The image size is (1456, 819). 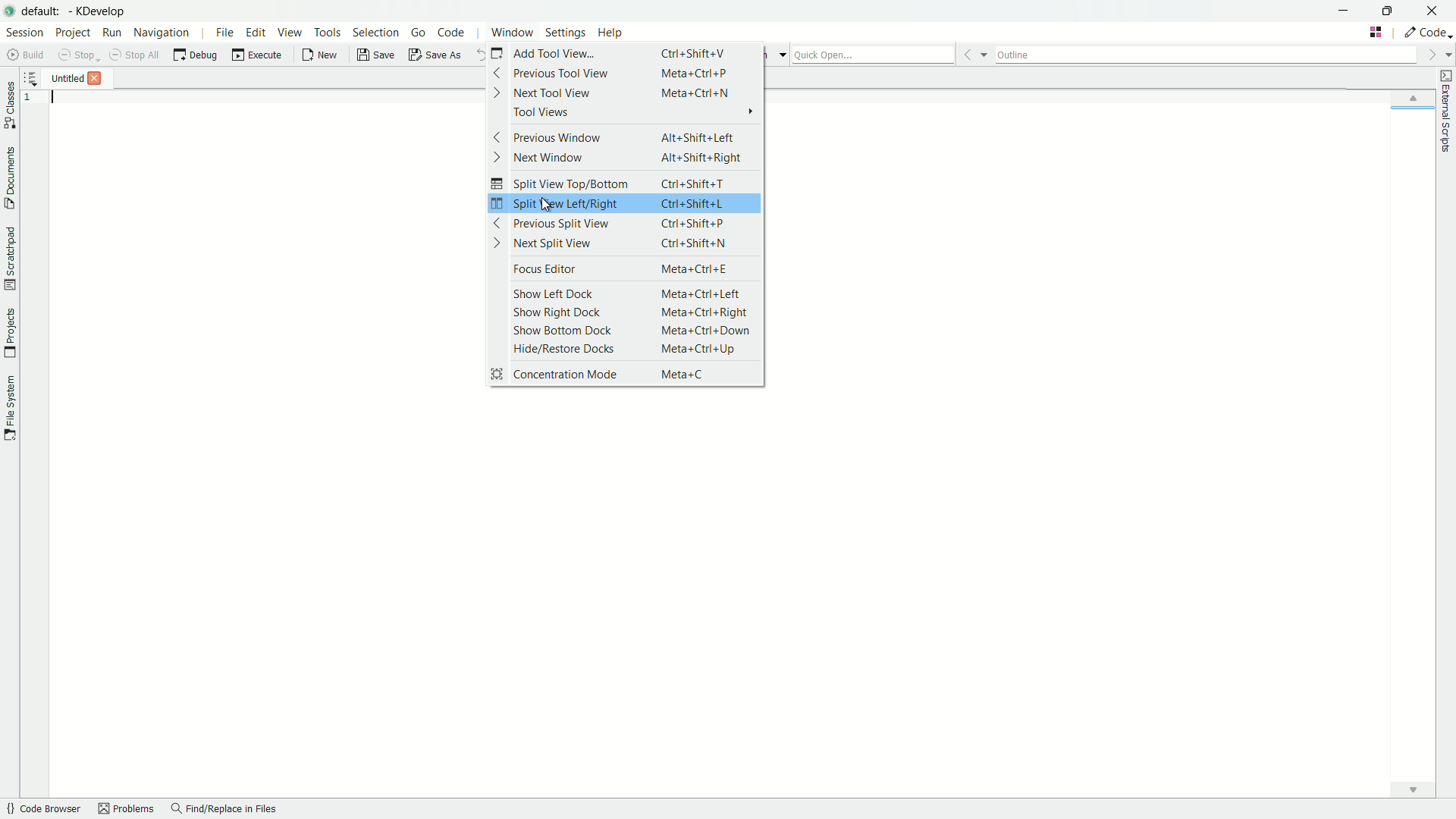 What do you see at coordinates (696, 267) in the screenshot?
I see `Meta+Ctrl+E` at bounding box center [696, 267].